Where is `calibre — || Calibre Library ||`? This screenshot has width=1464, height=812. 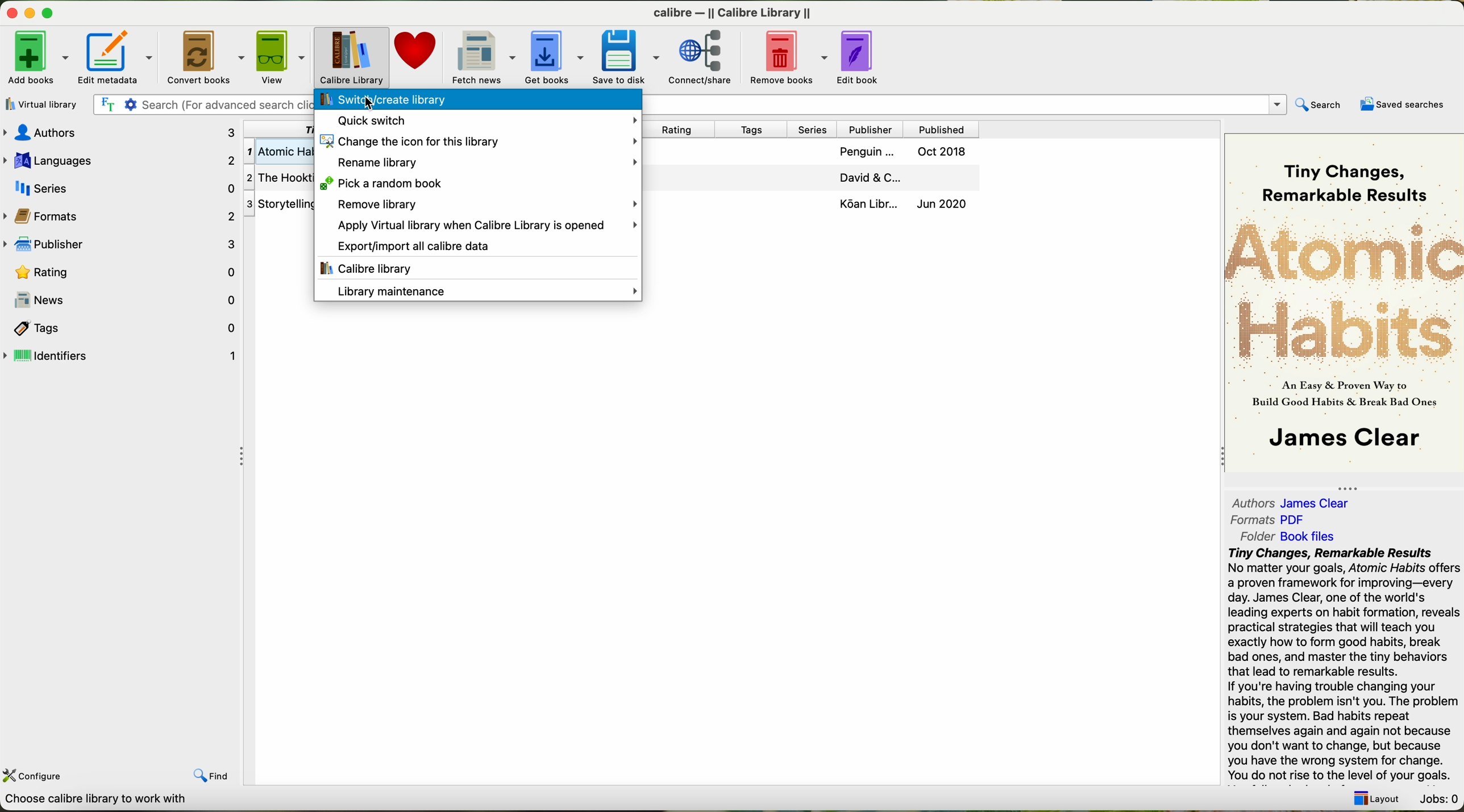
calibre — || Calibre Library || is located at coordinates (738, 12).